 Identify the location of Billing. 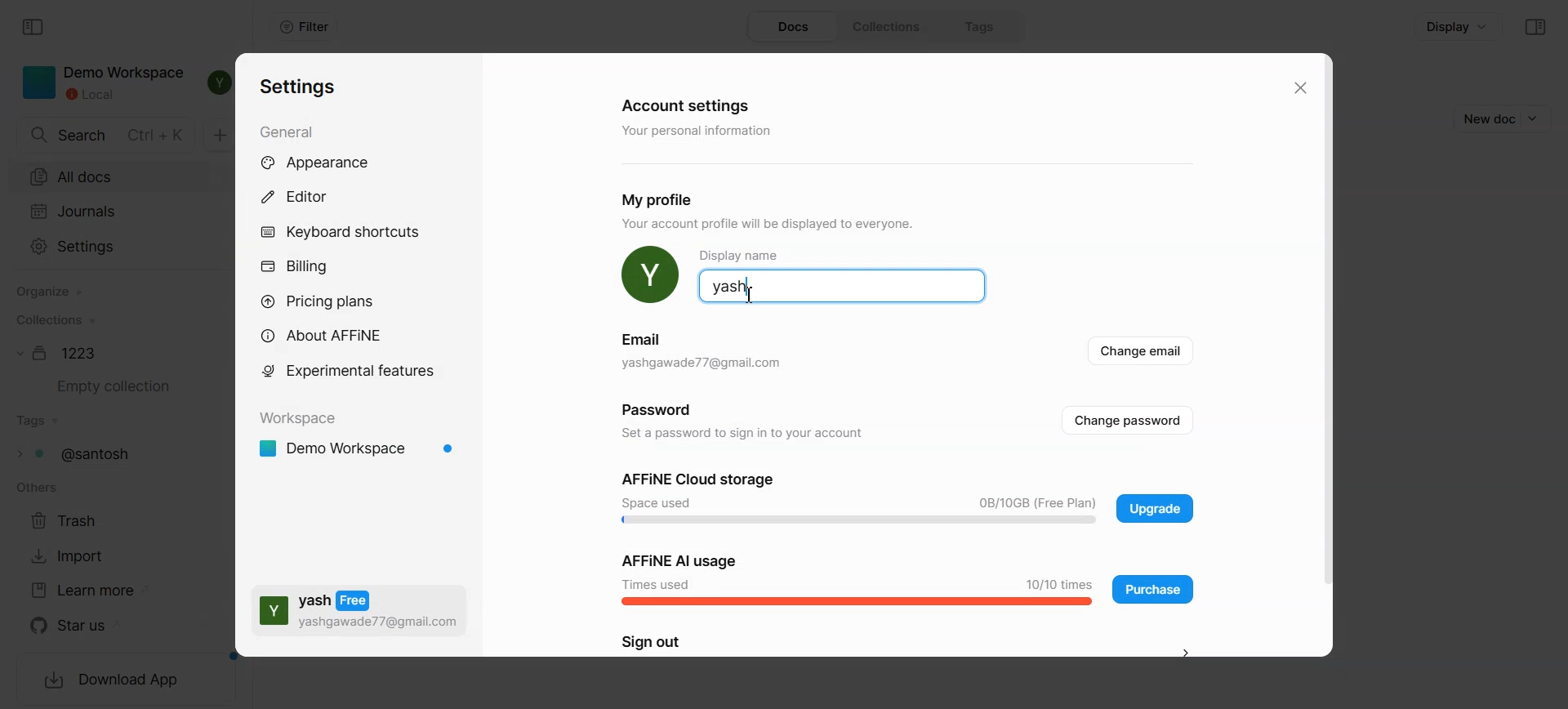
(294, 268).